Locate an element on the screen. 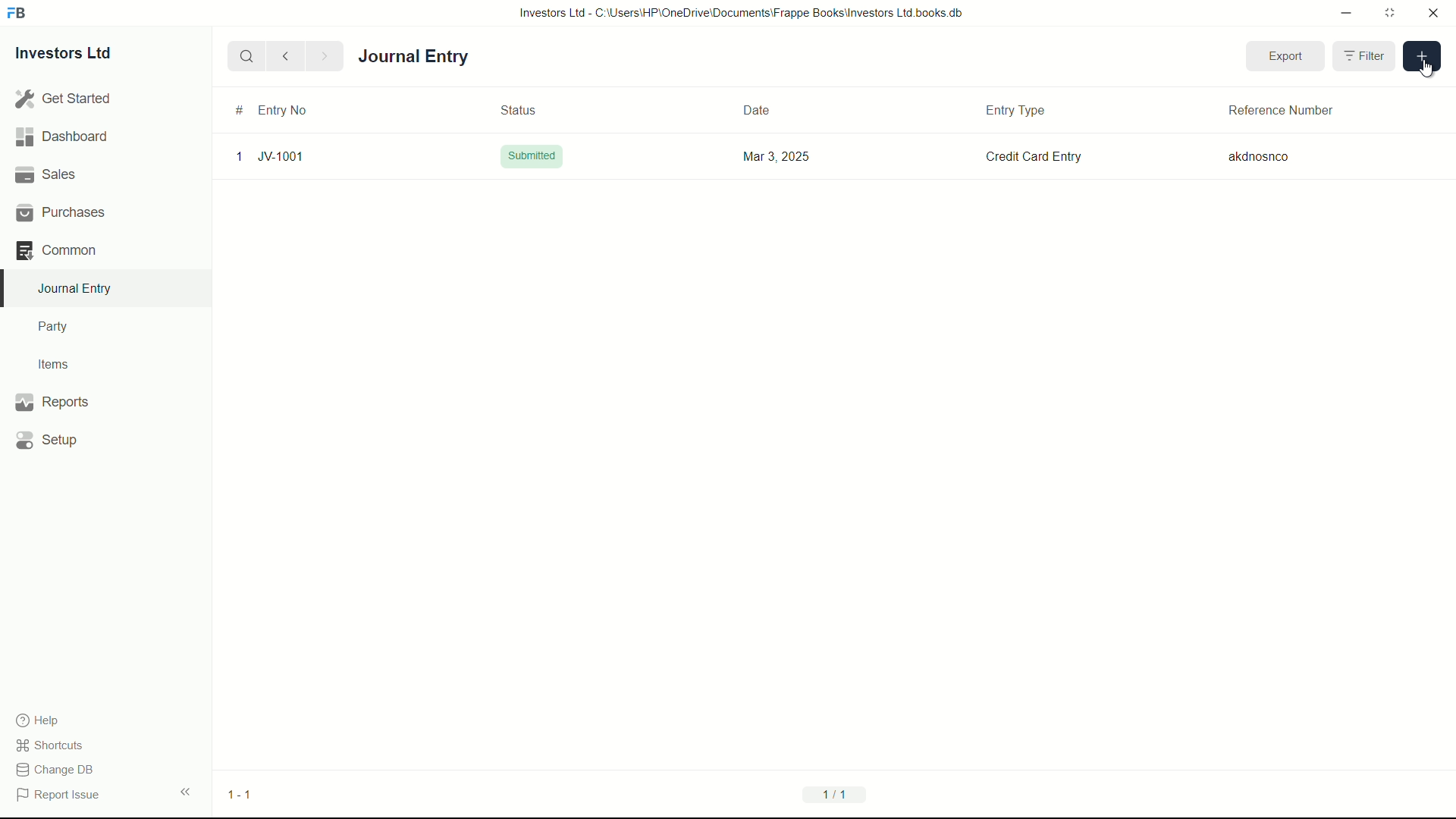 This screenshot has height=819, width=1456. Submitted is located at coordinates (535, 156).